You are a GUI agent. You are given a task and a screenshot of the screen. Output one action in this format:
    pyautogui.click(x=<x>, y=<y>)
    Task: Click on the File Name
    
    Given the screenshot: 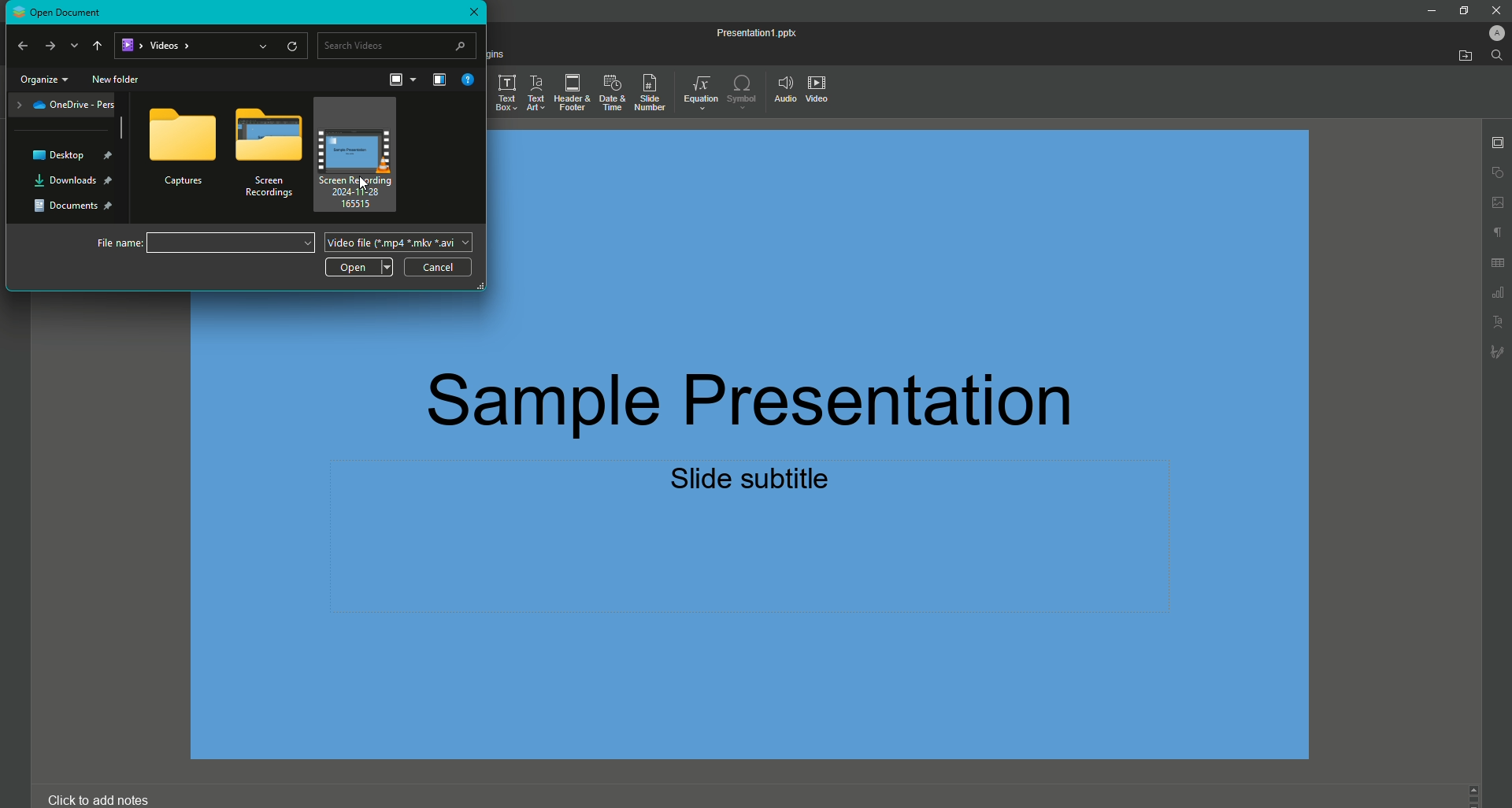 What is the action you would take?
    pyautogui.click(x=199, y=243)
    